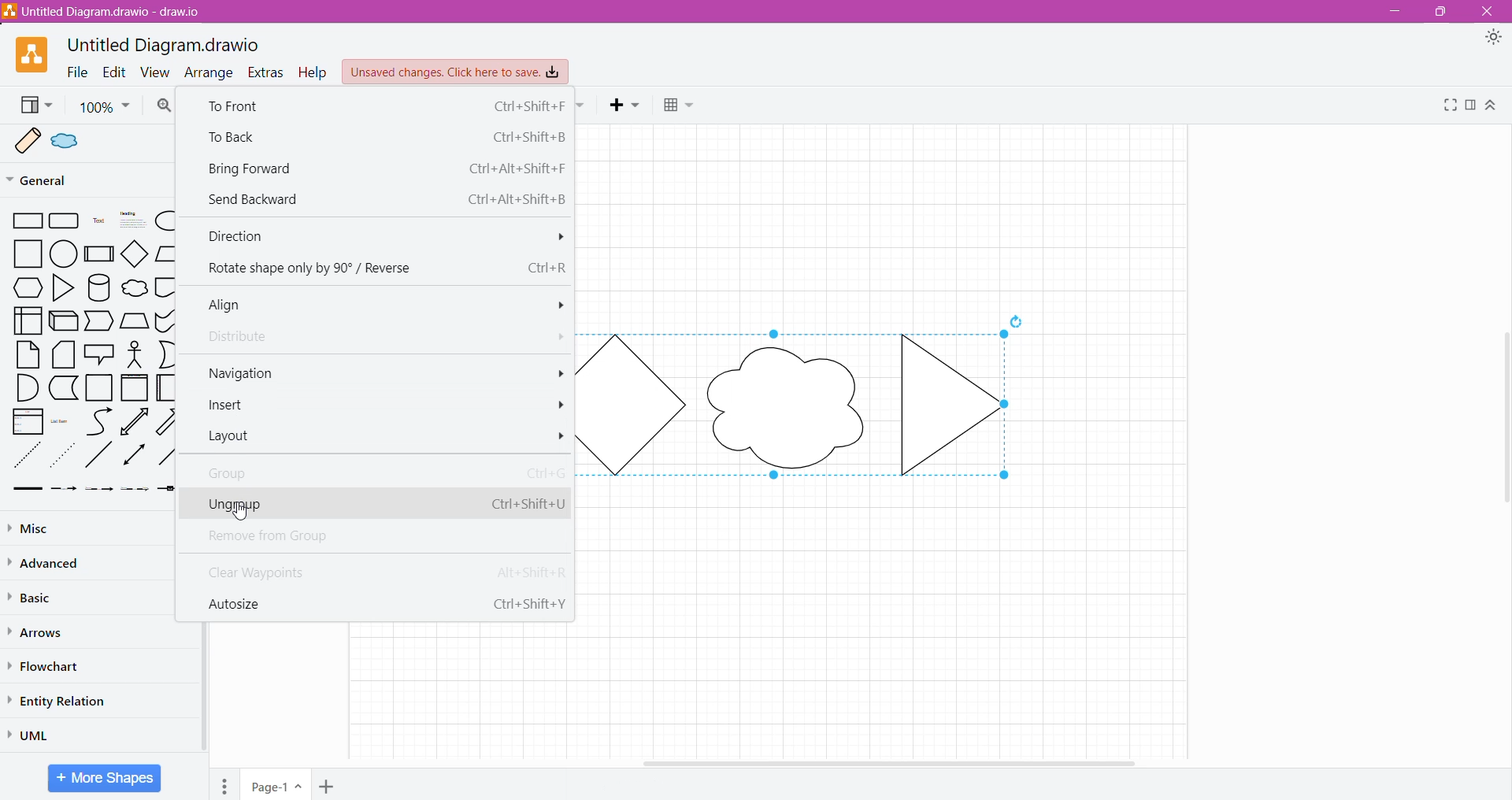  I want to click on Cursor, so click(243, 513).